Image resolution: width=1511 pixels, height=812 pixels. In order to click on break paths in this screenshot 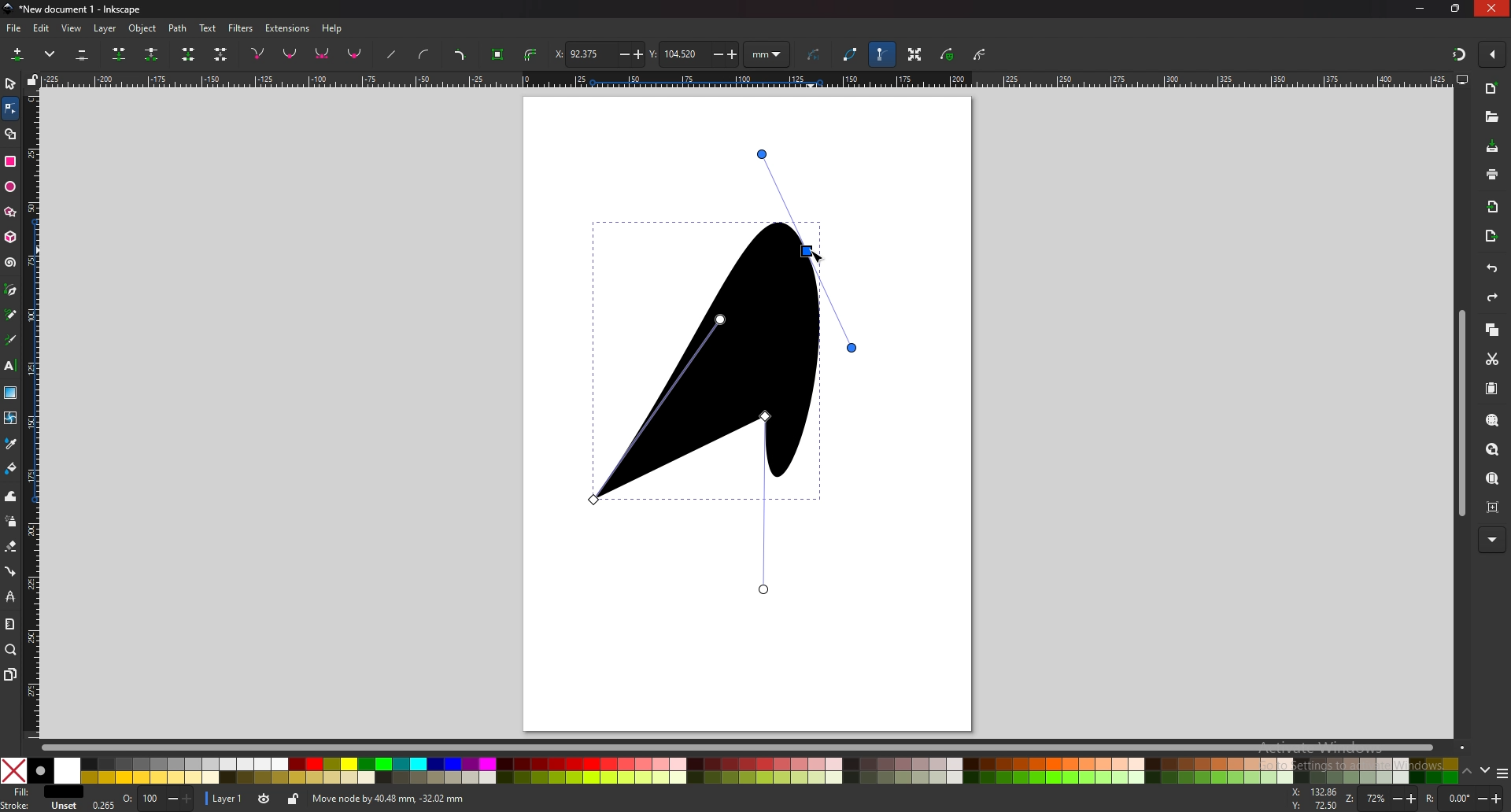, I will do `click(153, 54)`.